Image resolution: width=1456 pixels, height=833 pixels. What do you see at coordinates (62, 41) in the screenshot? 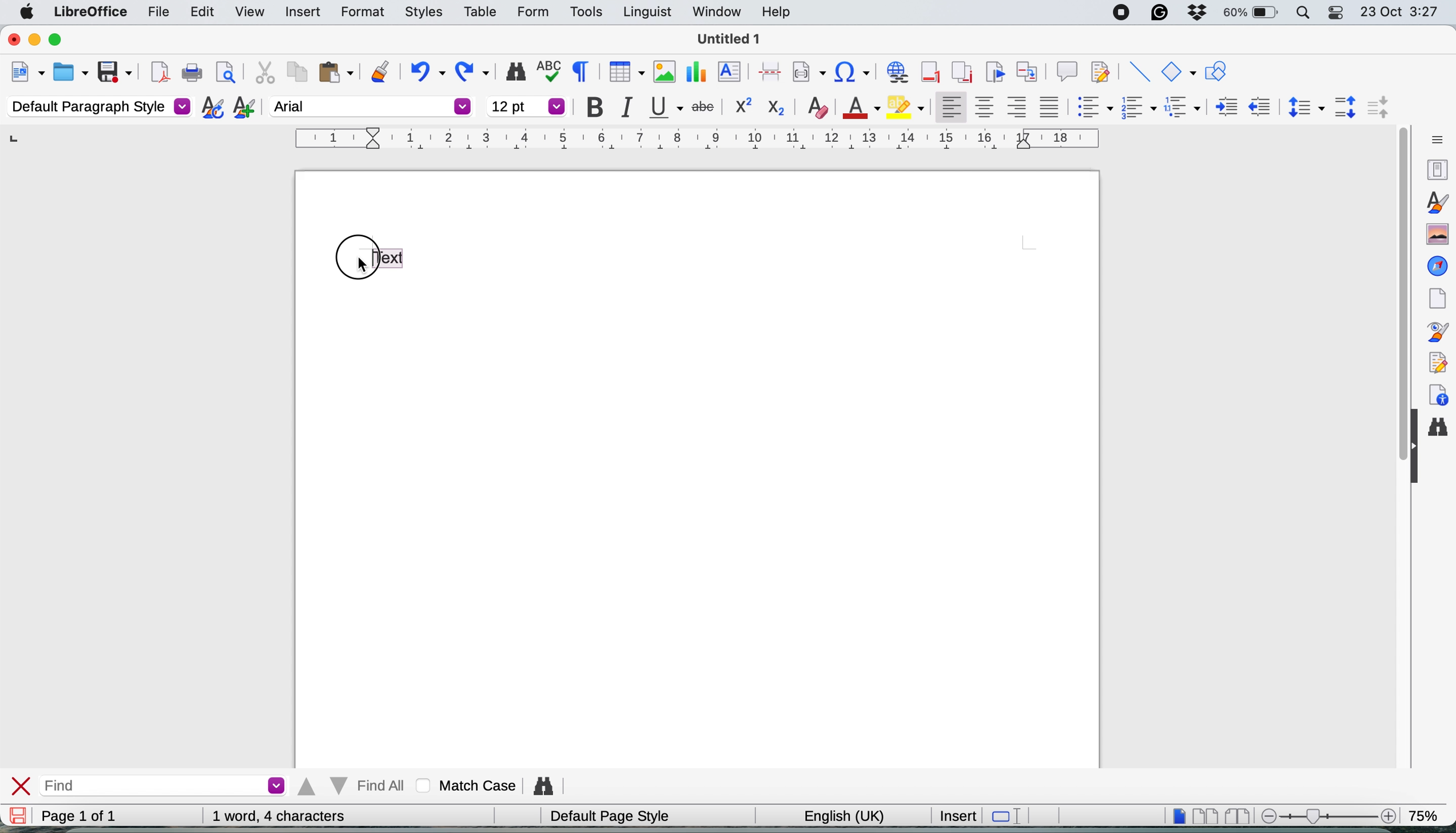
I see `maximise` at bounding box center [62, 41].